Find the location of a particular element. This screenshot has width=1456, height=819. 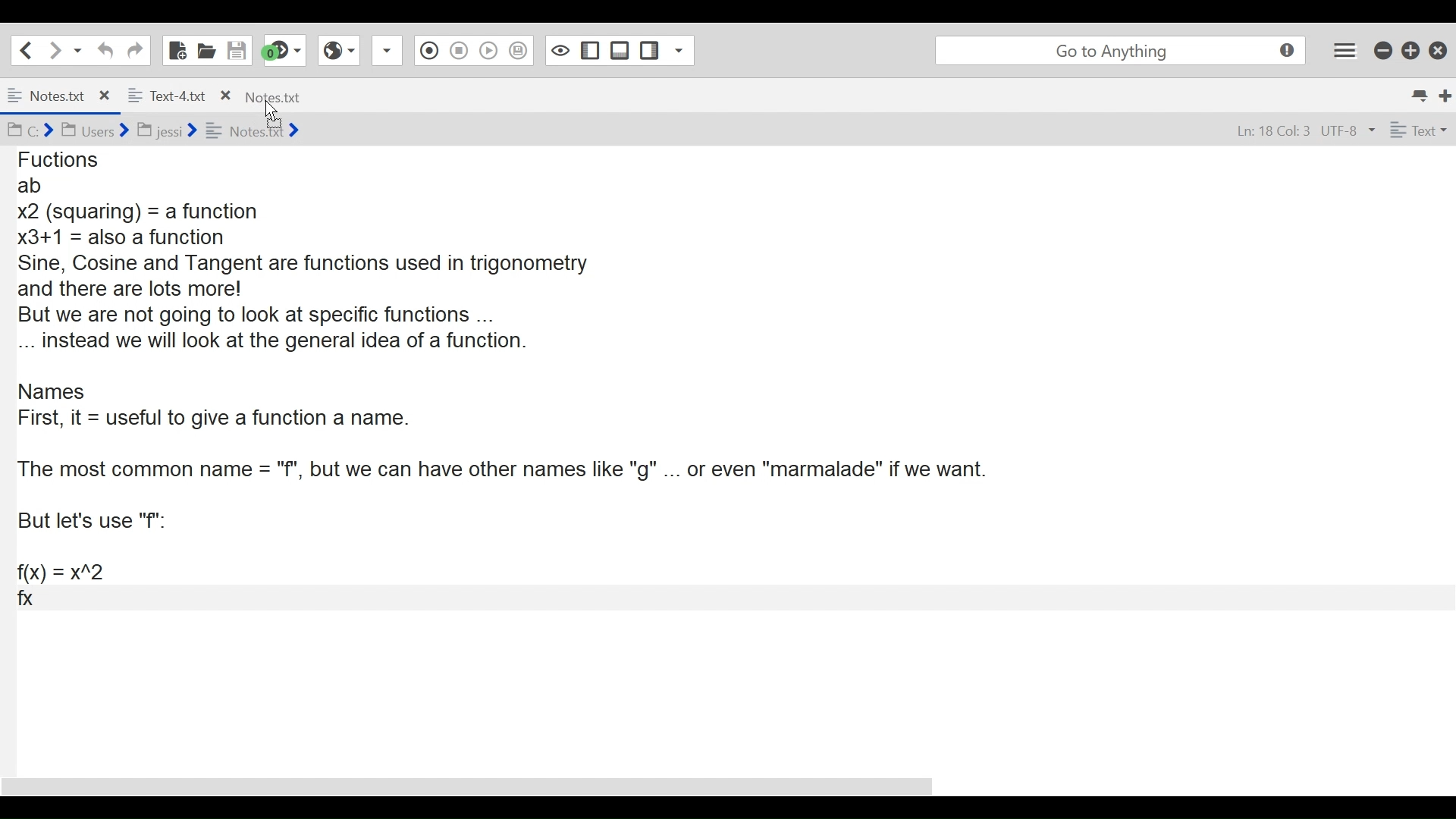

share current file is located at coordinates (390, 52).